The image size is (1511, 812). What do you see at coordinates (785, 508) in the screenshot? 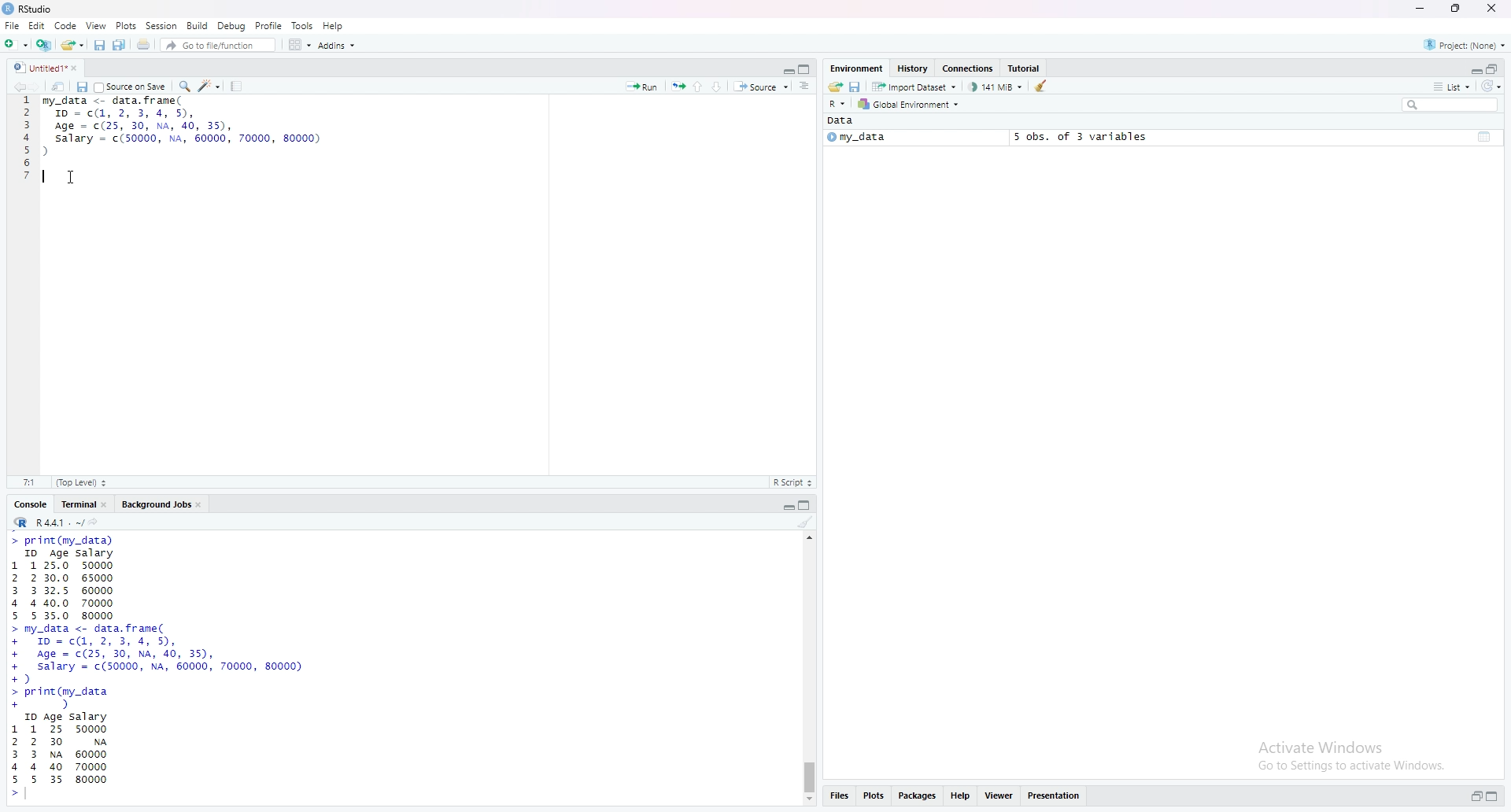
I see `expand` at bounding box center [785, 508].